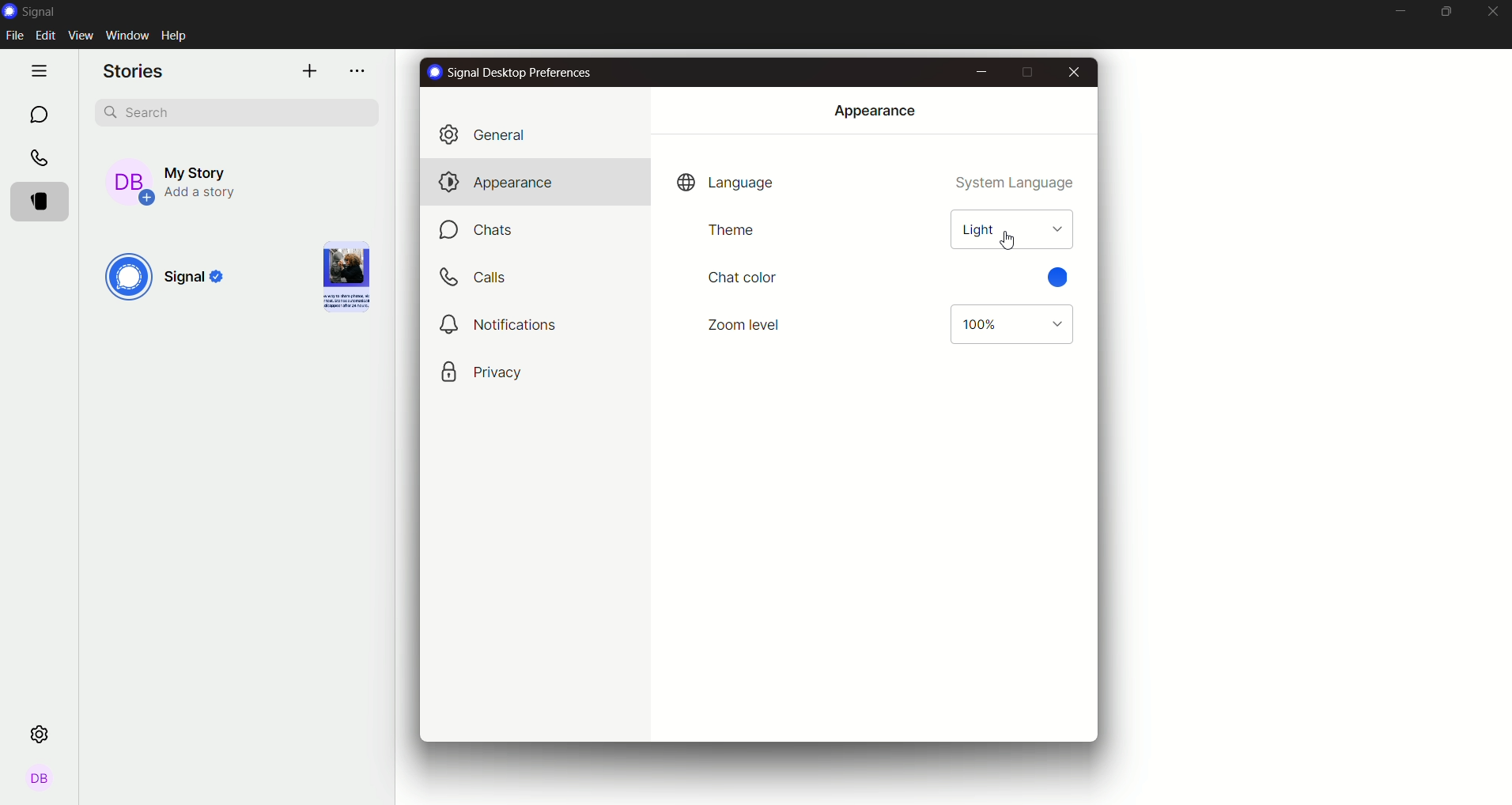  Describe the element at coordinates (42, 70) in the screenshot. I see `hide tabs` at that location.